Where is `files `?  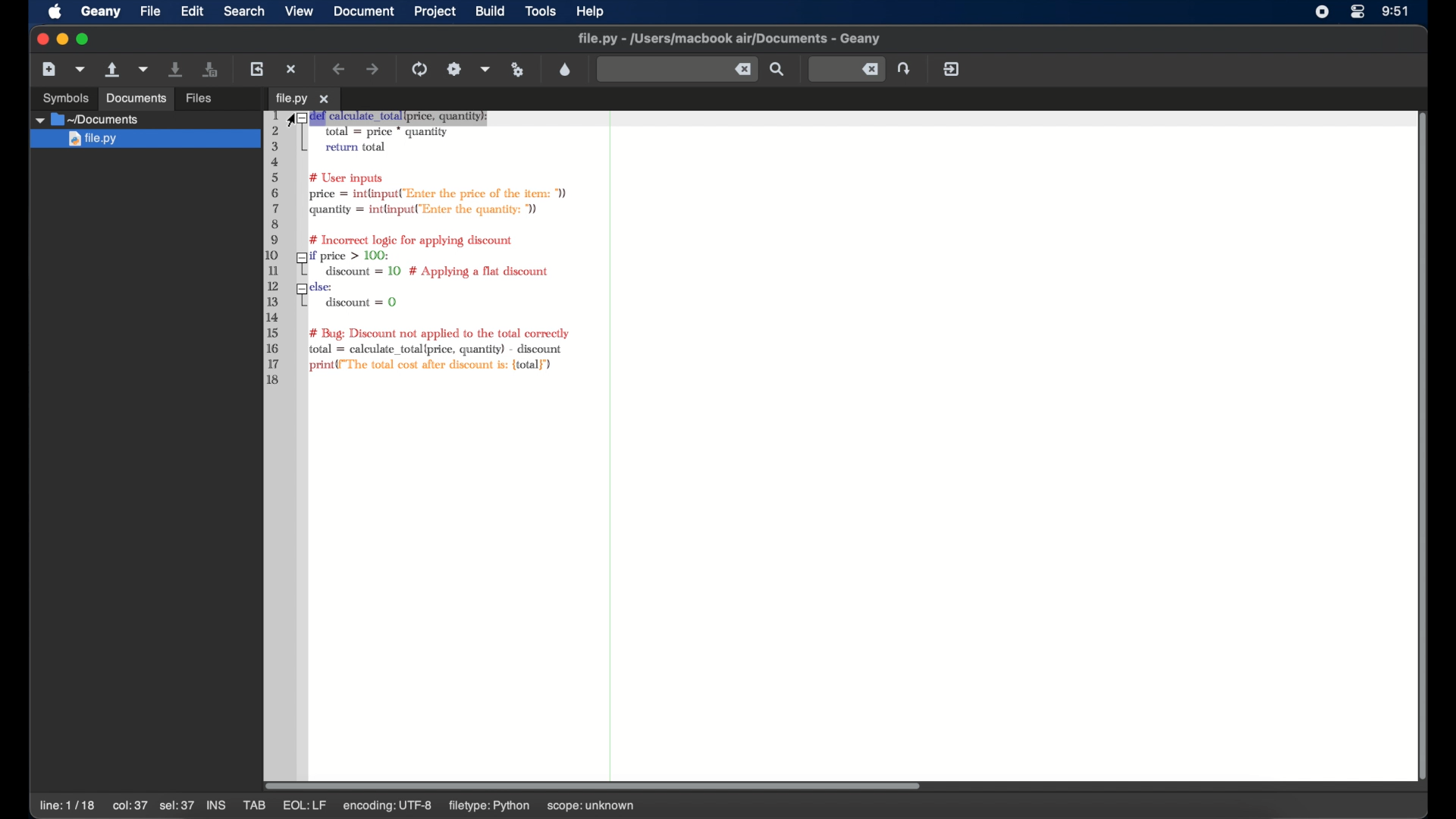 files  is located at coordinates (202, 97).